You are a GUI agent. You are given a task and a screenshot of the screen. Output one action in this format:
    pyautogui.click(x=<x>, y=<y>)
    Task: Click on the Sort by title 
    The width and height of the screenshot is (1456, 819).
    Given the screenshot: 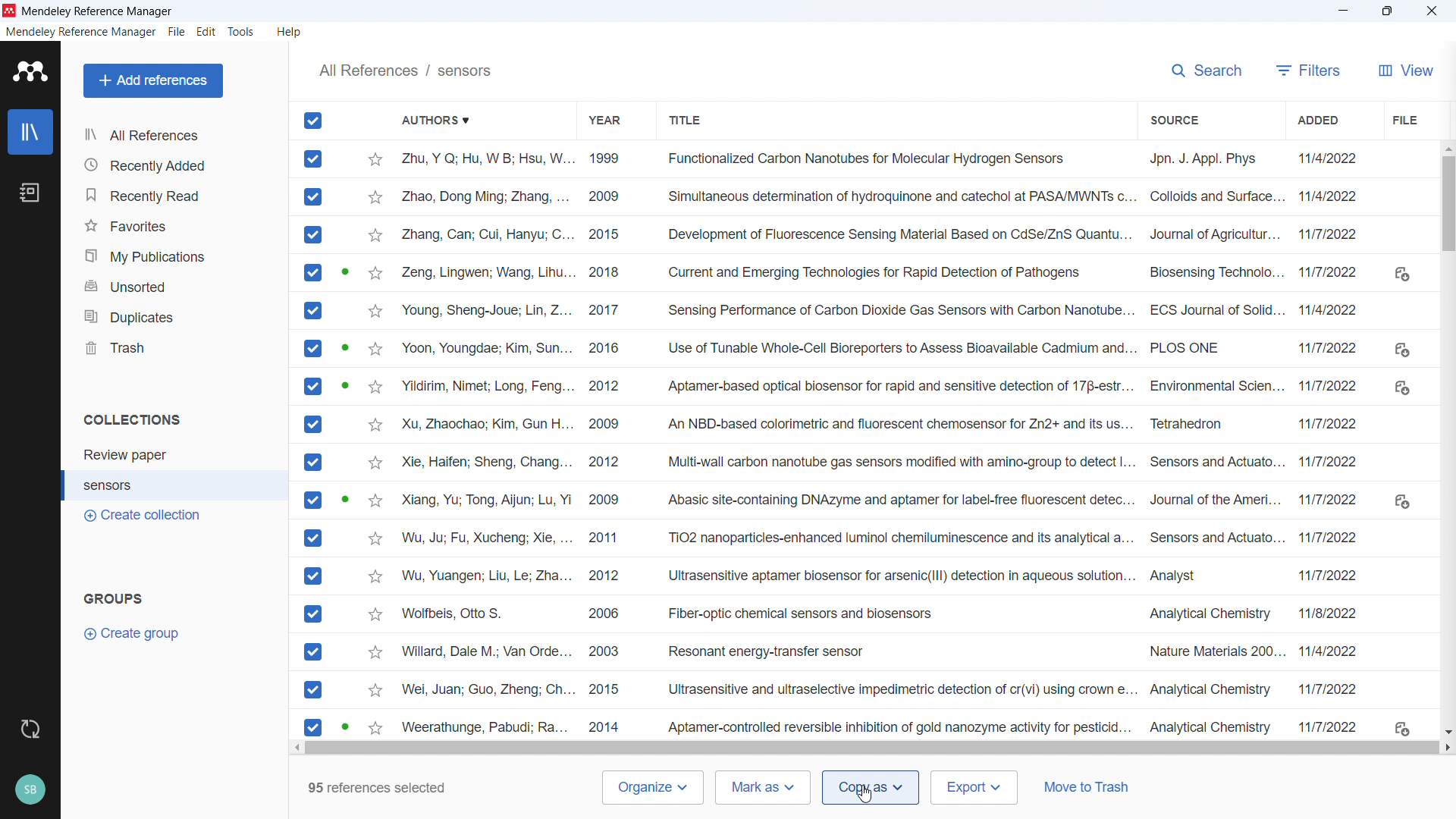 What is the action you would take?
    pyautogui.click(x=689, y=121)
    